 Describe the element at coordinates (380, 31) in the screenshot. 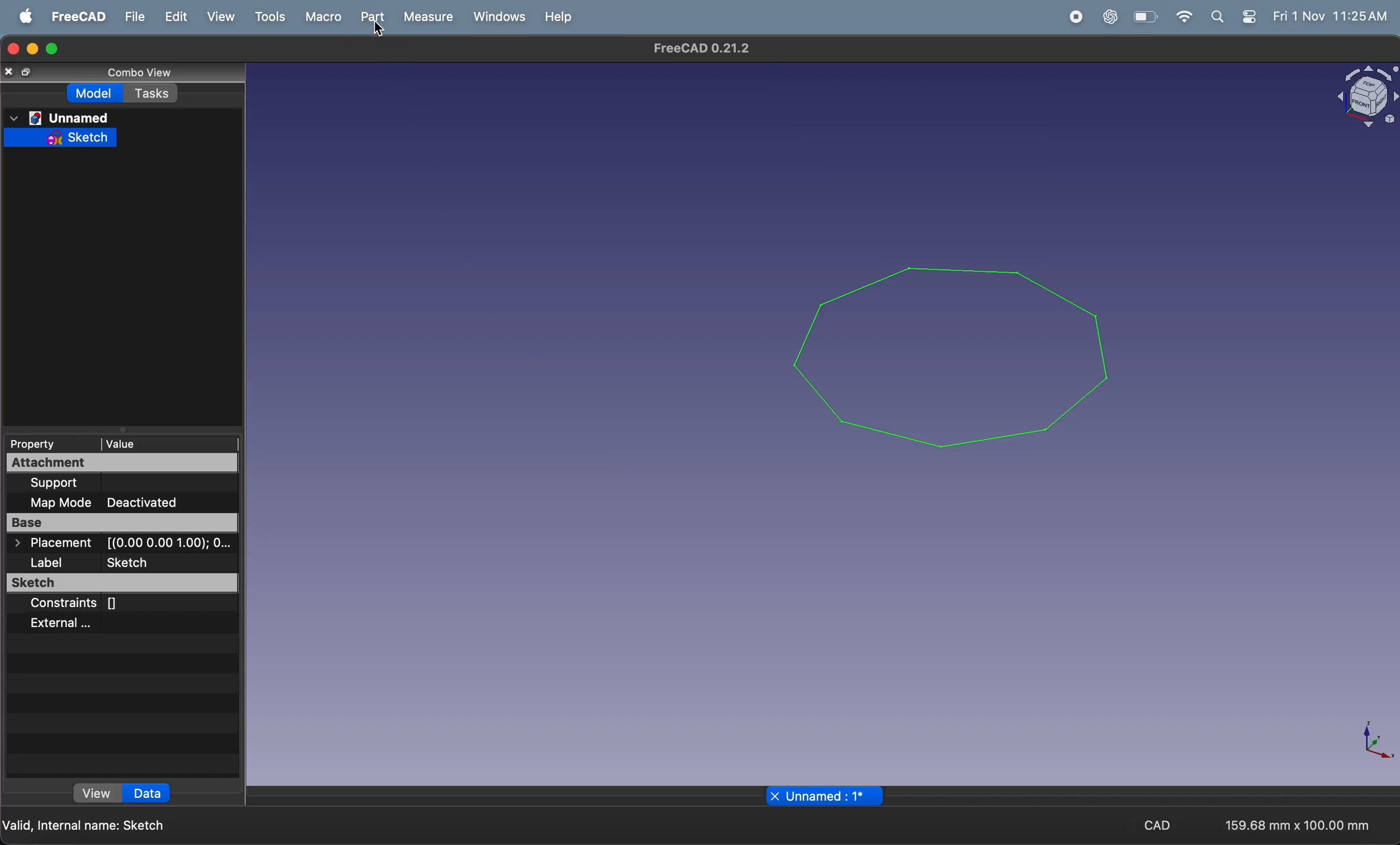

I see `cursor` at that location.